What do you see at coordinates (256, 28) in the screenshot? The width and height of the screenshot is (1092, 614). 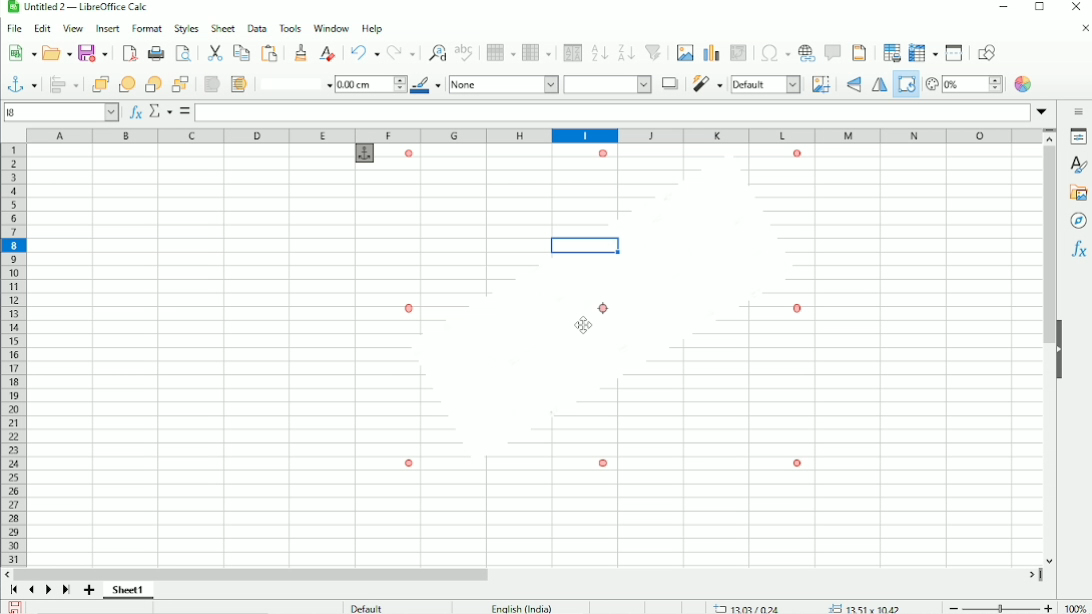 I see `Data` at bounding box center [256, 28].